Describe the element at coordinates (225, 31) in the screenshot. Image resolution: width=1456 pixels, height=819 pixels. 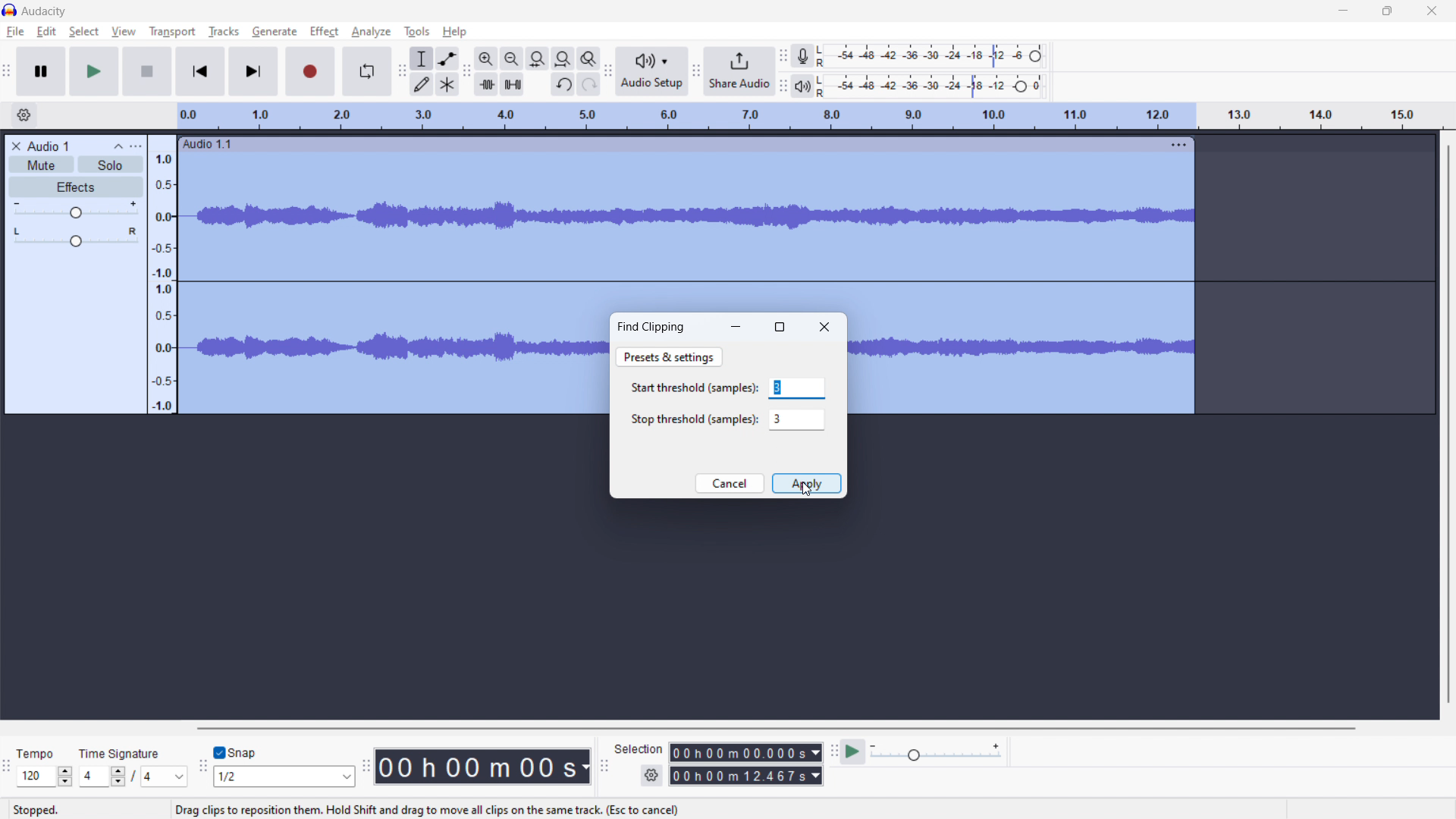
I see `tracks` at that location.